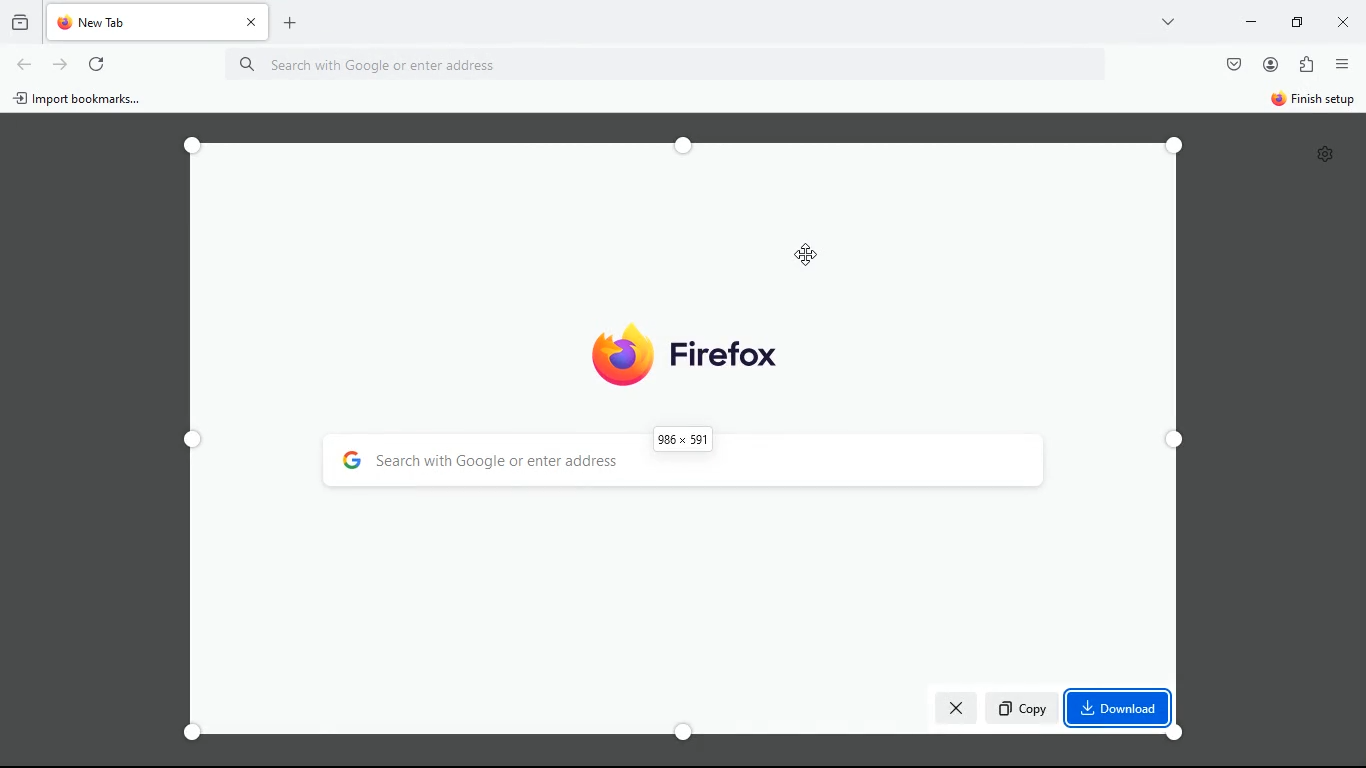  Describe the element at coordinates (97, 66) in the screenshot. I see `refresh` at that location.